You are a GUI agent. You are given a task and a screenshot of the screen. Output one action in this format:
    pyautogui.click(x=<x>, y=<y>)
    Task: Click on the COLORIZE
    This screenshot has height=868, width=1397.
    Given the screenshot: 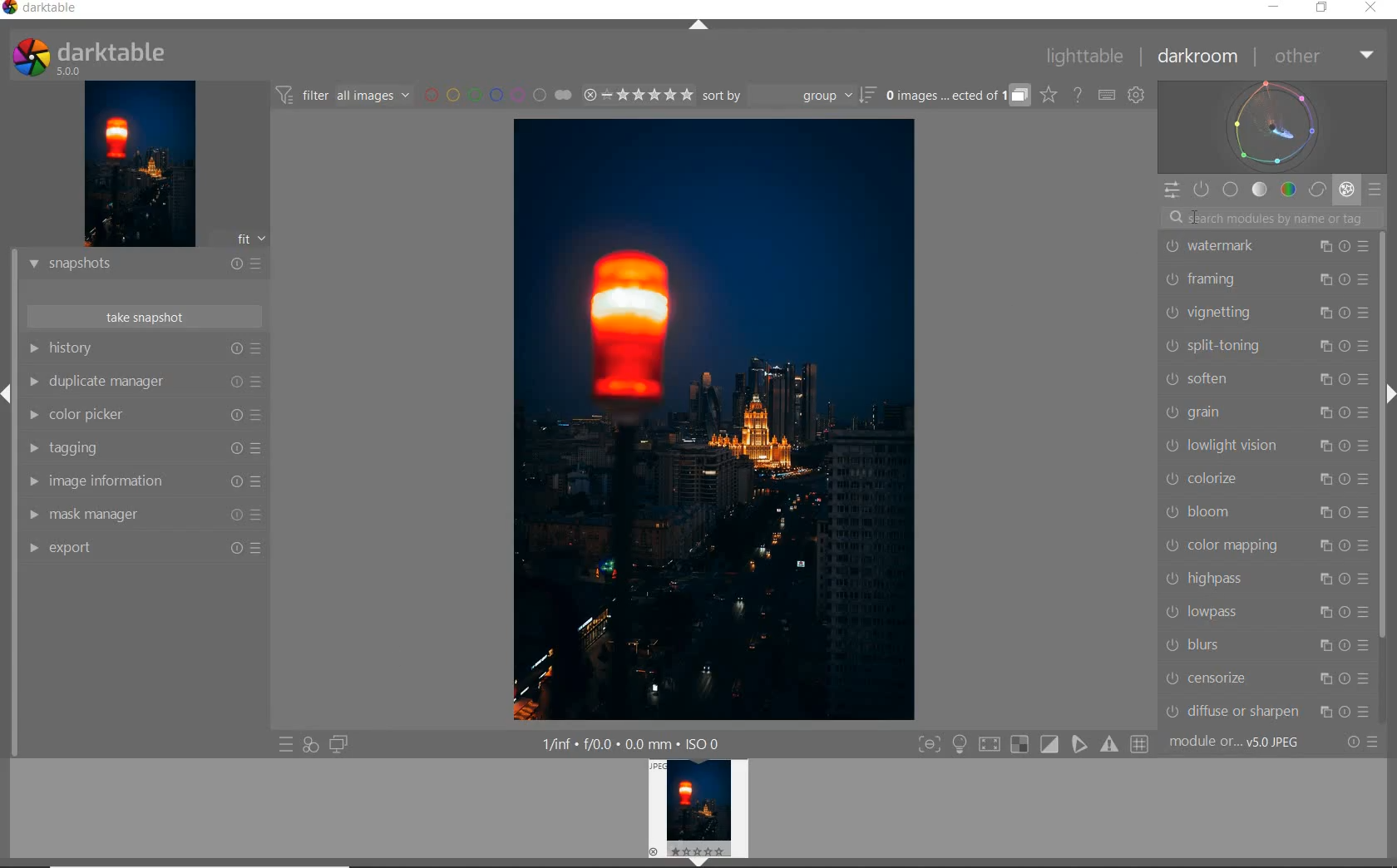 What is the action you would take?
    pyautogui.click(x=1224, y=476)
    